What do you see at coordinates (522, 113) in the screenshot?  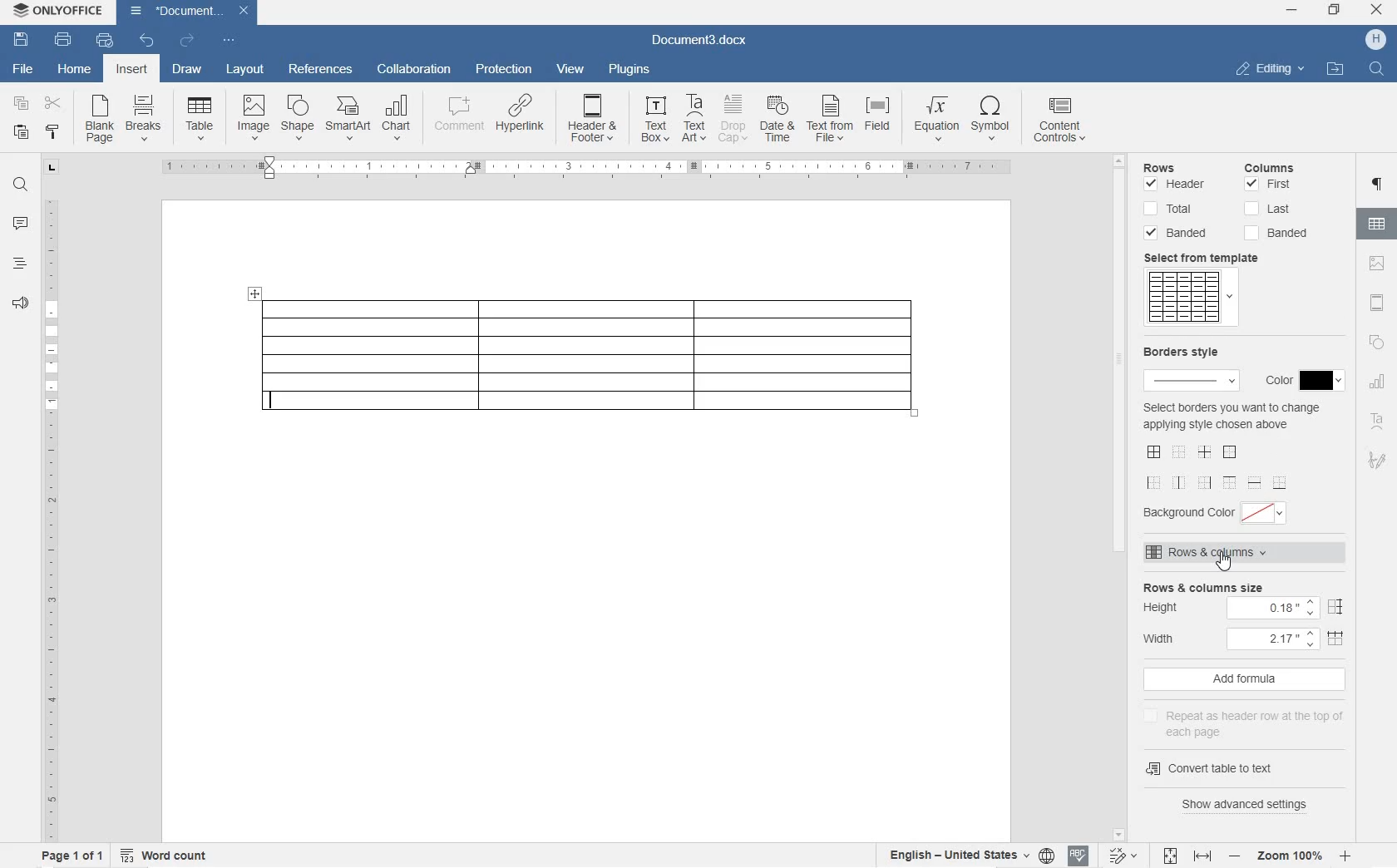 I see `HYPERLINK` at bounding box center [522, 113].